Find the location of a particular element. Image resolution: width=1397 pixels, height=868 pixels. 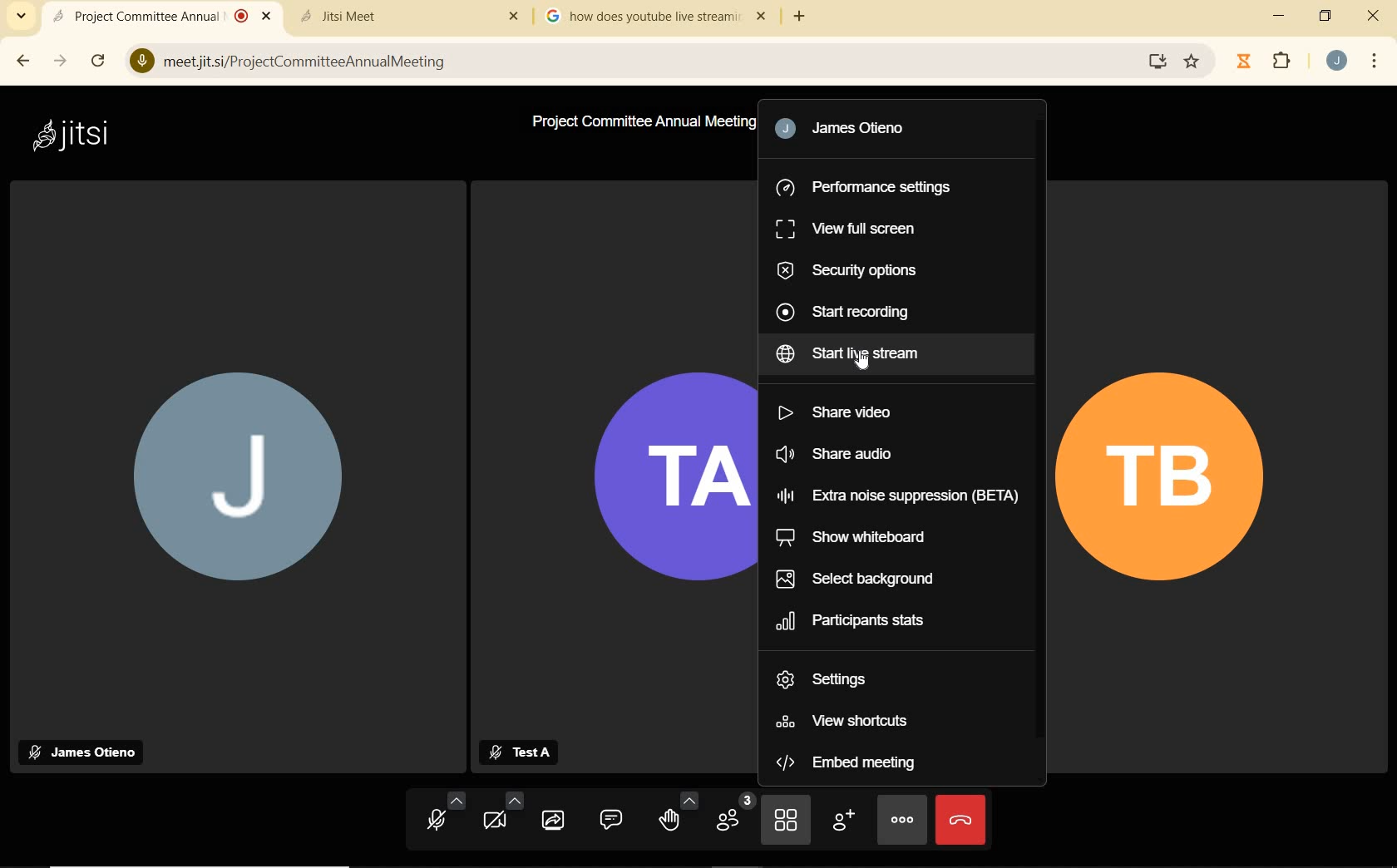

participants is located at coordinates (733, 816).